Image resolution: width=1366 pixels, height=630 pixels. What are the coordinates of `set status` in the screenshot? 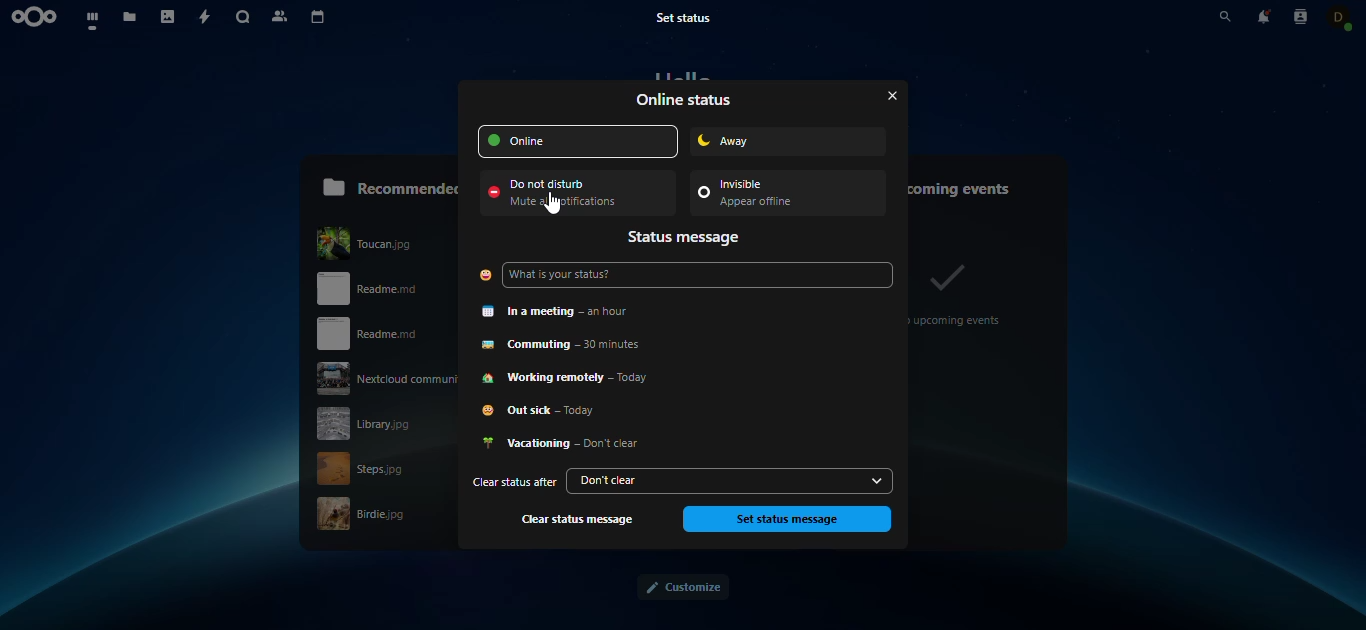 It's located at (693, 17).